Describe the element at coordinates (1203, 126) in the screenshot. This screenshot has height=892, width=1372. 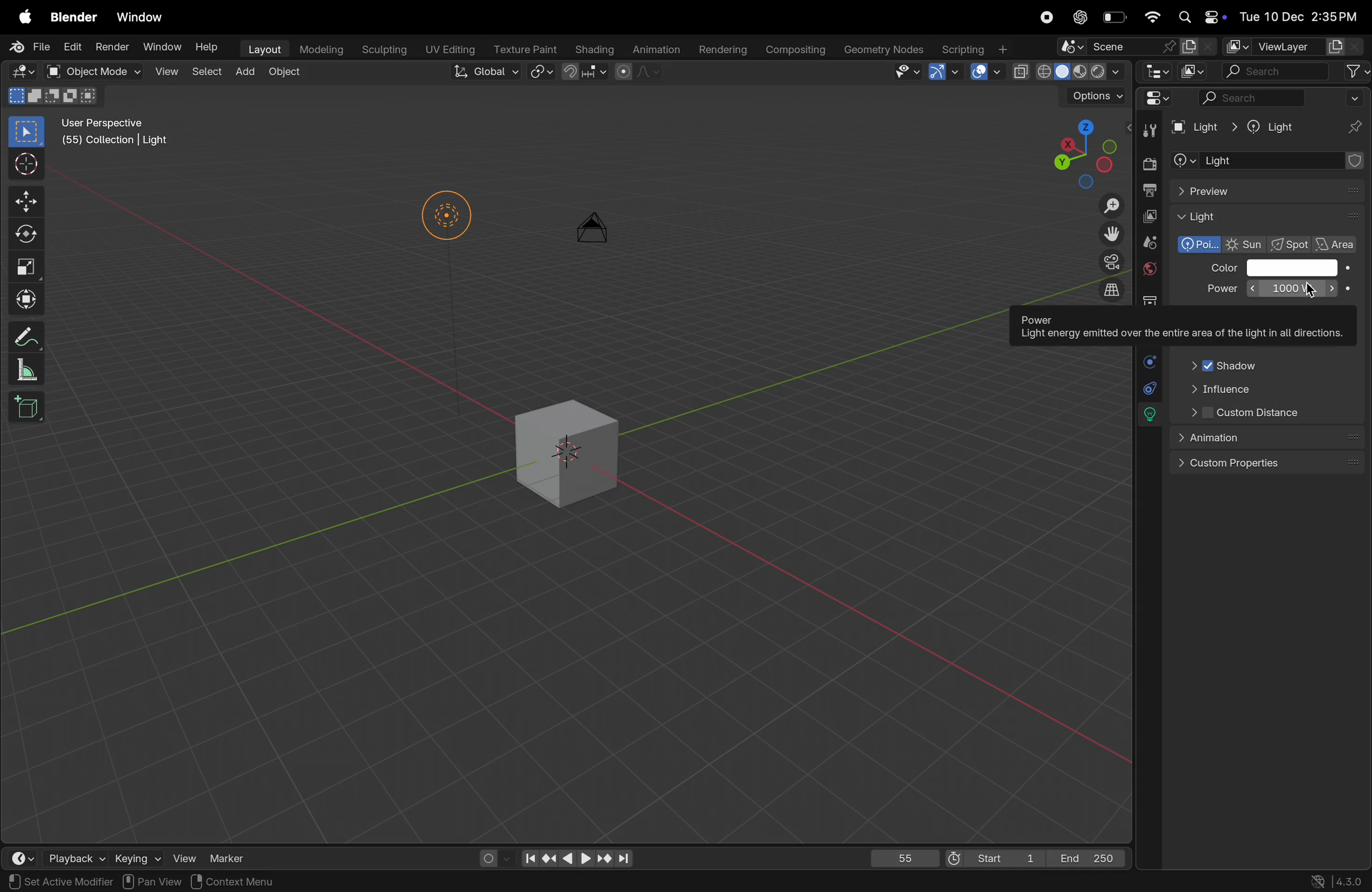
I see `Light` at that location.